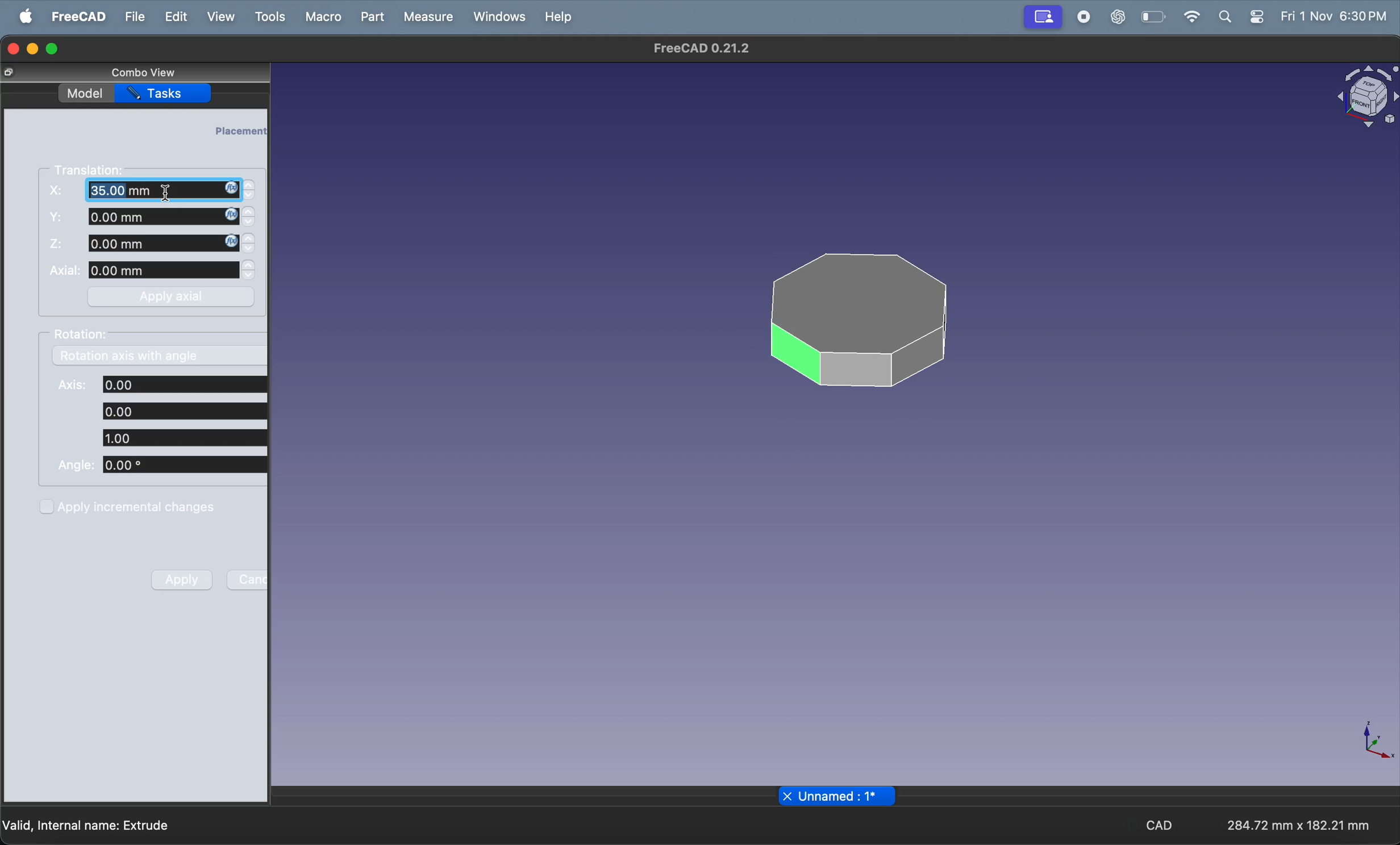 The image size is (1400, 845). What do you see at coordinates (1226, 16) in the screenshot?
I see `search` at bounding box center [1226, 16].